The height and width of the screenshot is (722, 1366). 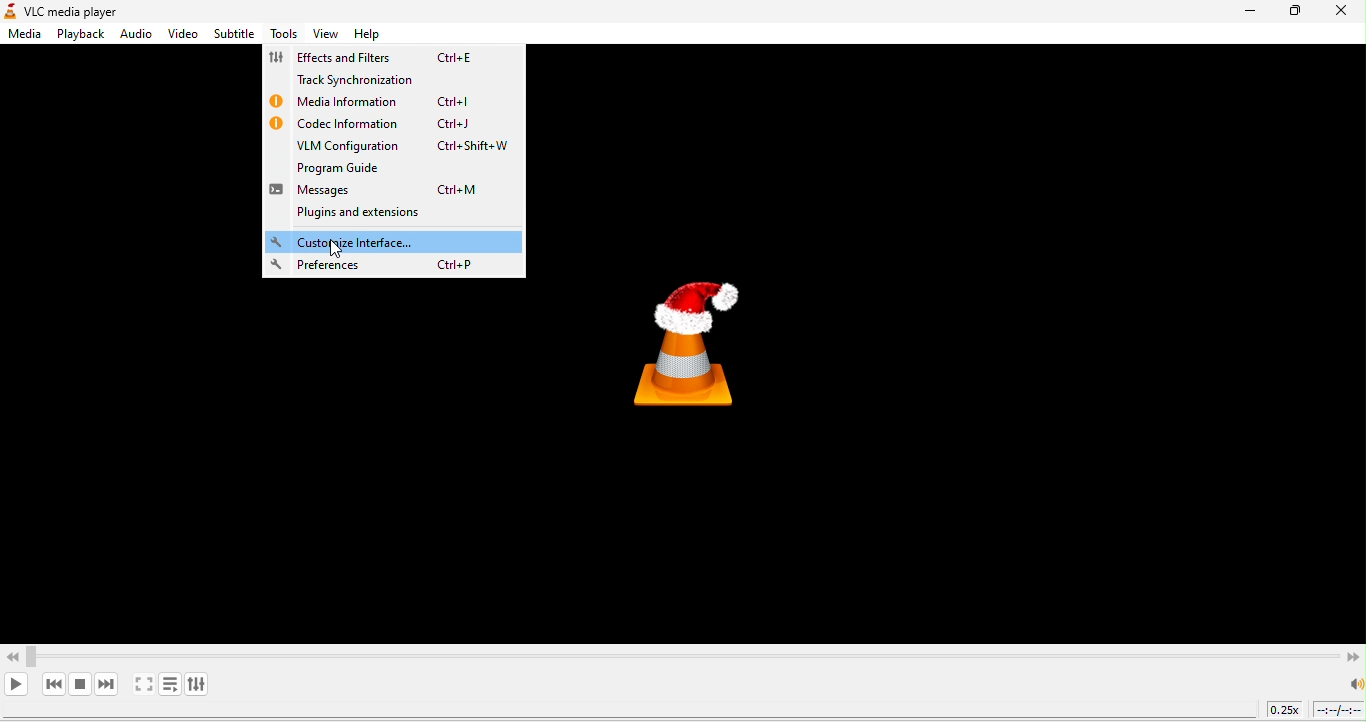 What do you see at coordinates (371, 35) in the screenshot?
I see `help` at bounding box center [371, 35].